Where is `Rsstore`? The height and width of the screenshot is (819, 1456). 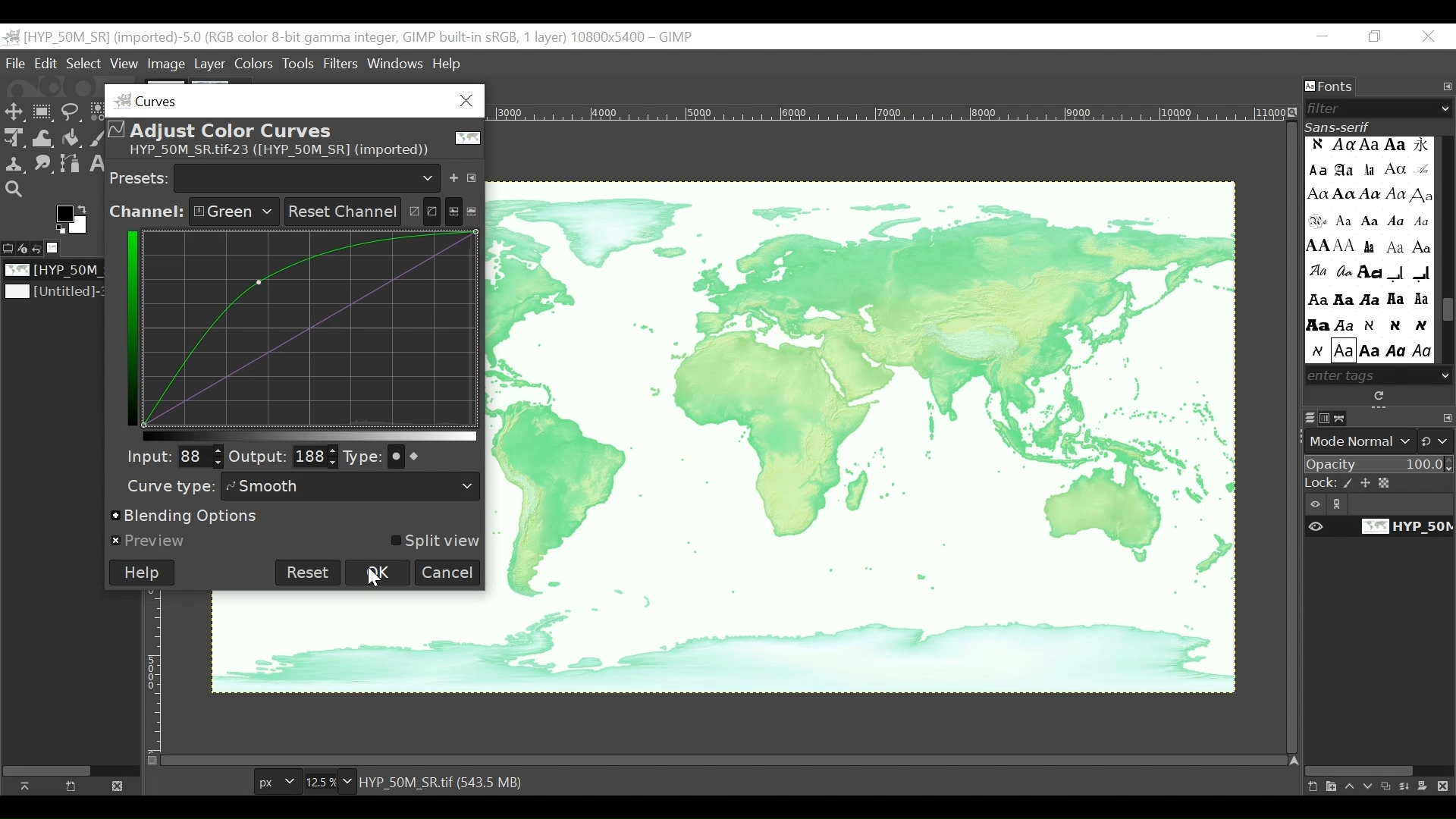 Rsstore is located at coordinates (1375, 37).